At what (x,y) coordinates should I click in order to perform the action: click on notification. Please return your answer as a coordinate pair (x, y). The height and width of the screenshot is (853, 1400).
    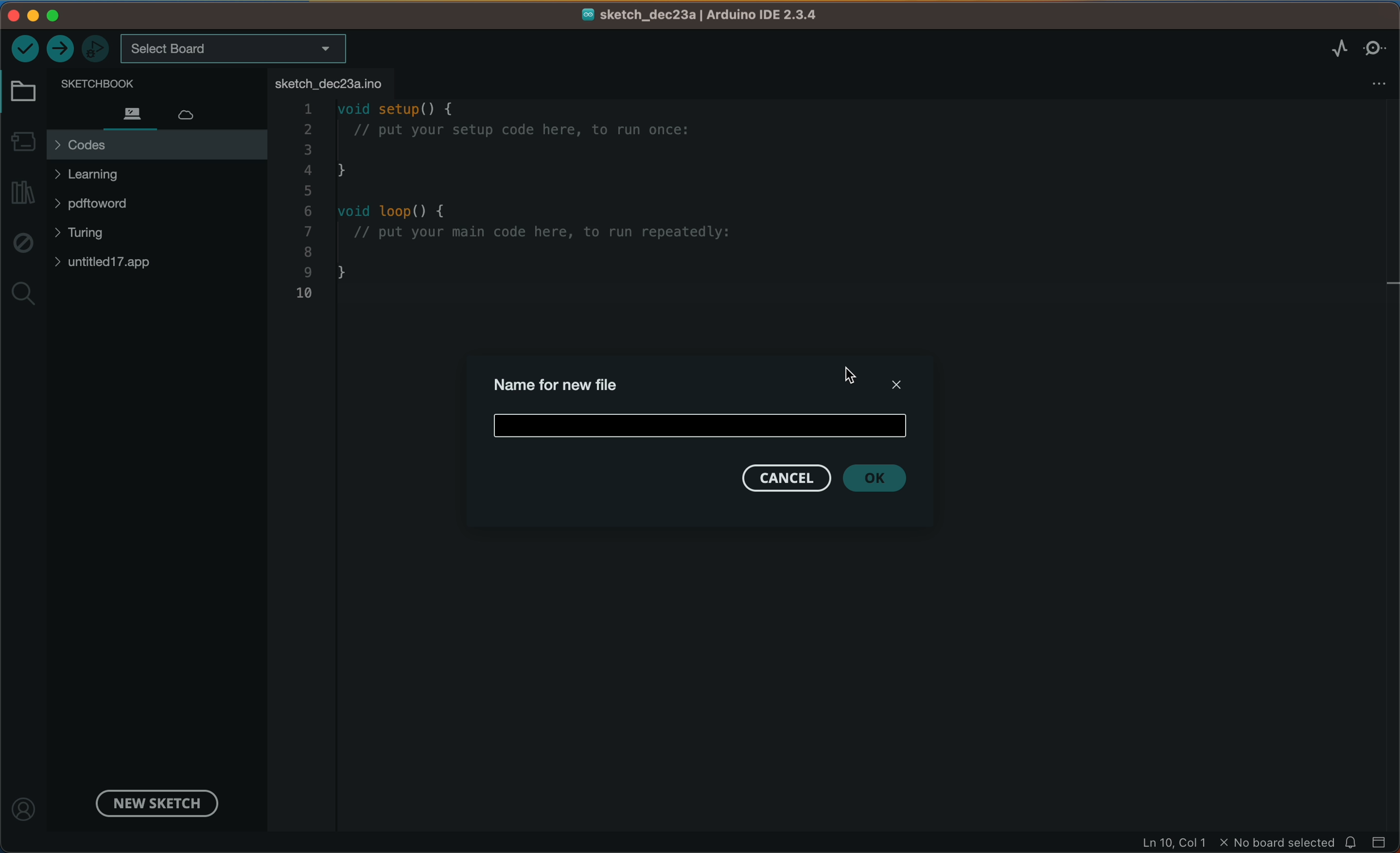
    Looking at the image, I should click on (1352, 842).